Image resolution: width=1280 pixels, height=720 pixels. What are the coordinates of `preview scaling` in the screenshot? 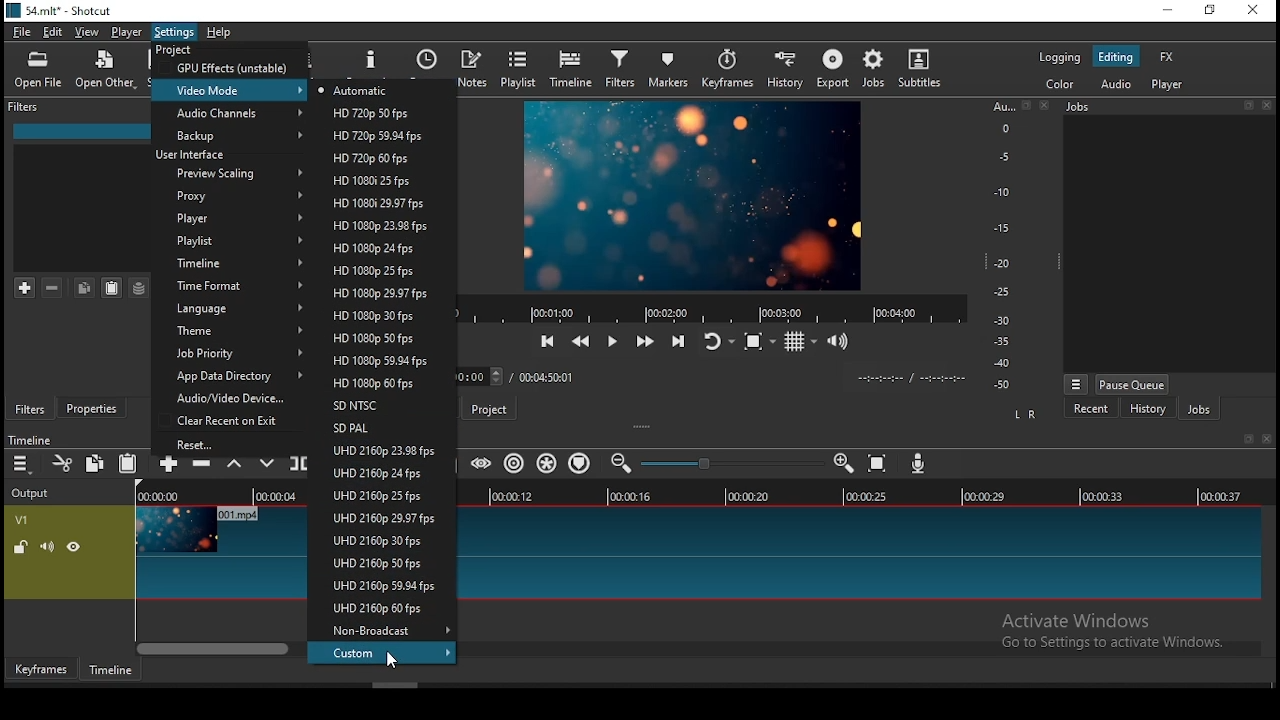 It's located at (231, 172).